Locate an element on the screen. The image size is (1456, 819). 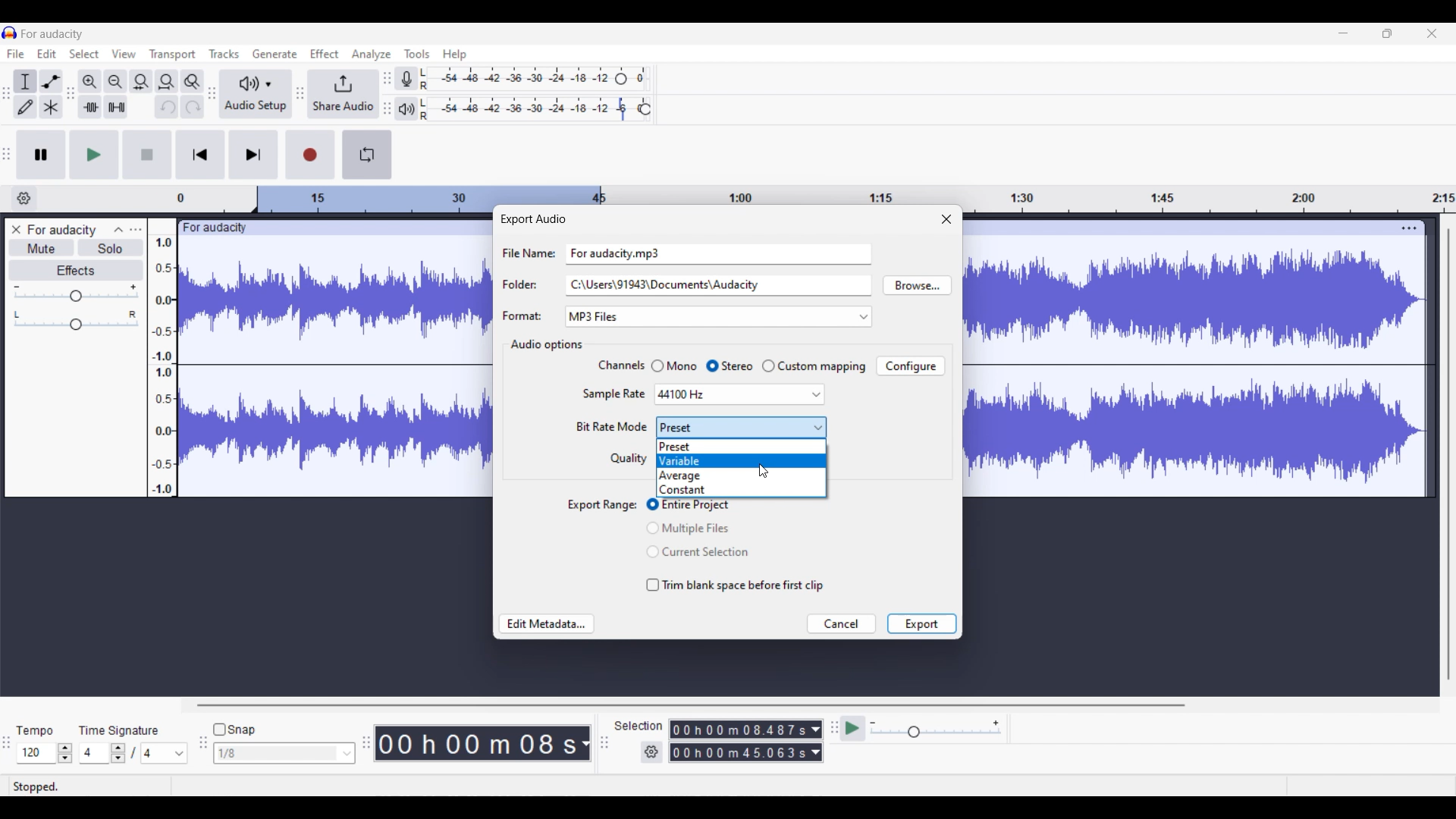
Indicates toggle settings for export range is located at coordinates (603, 506).